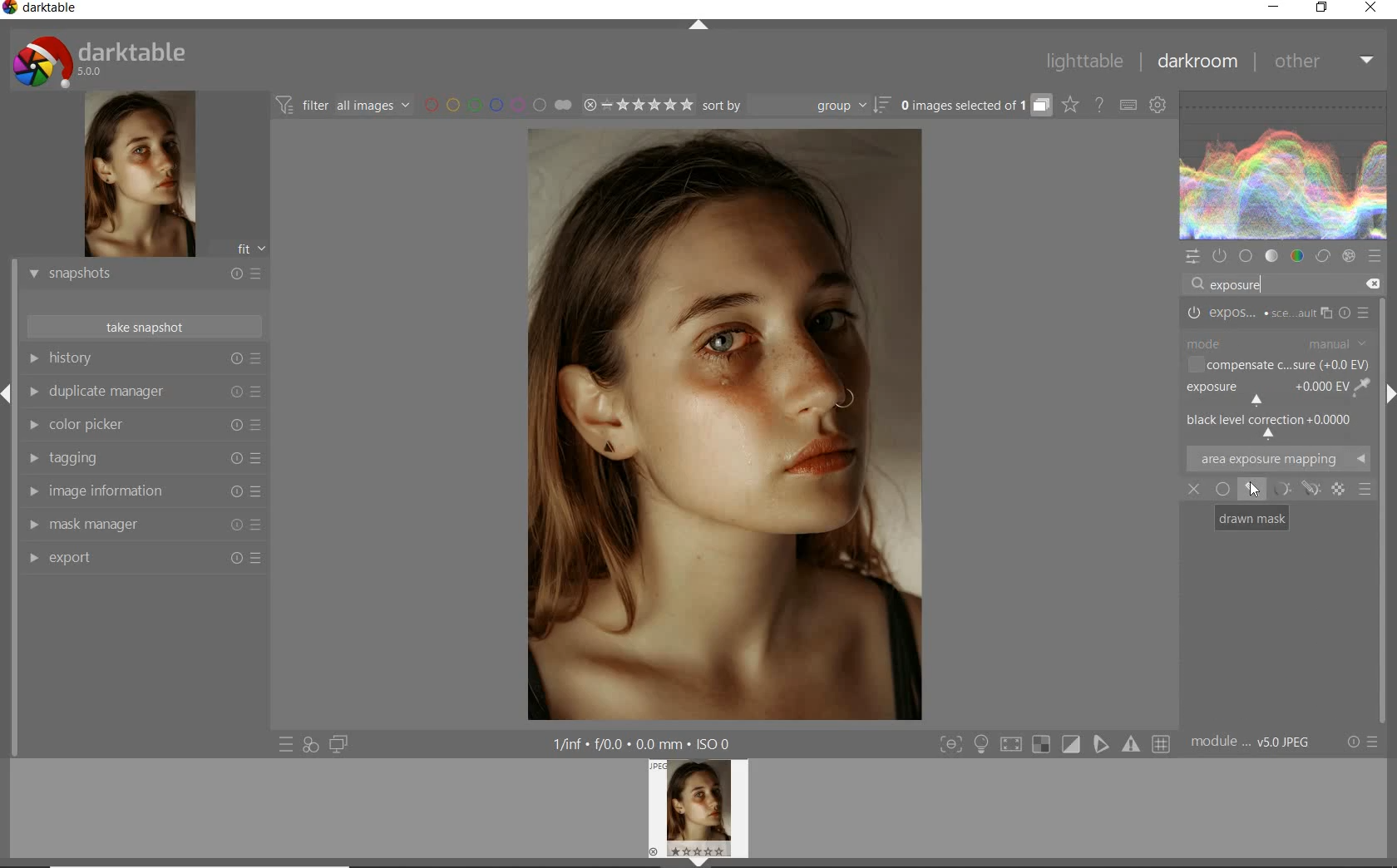 The image size is (1397, 868). What do you see at coordinates (1099, 106) in the screenshot?
I see `enable online help` at bounding box center [1099, 106].